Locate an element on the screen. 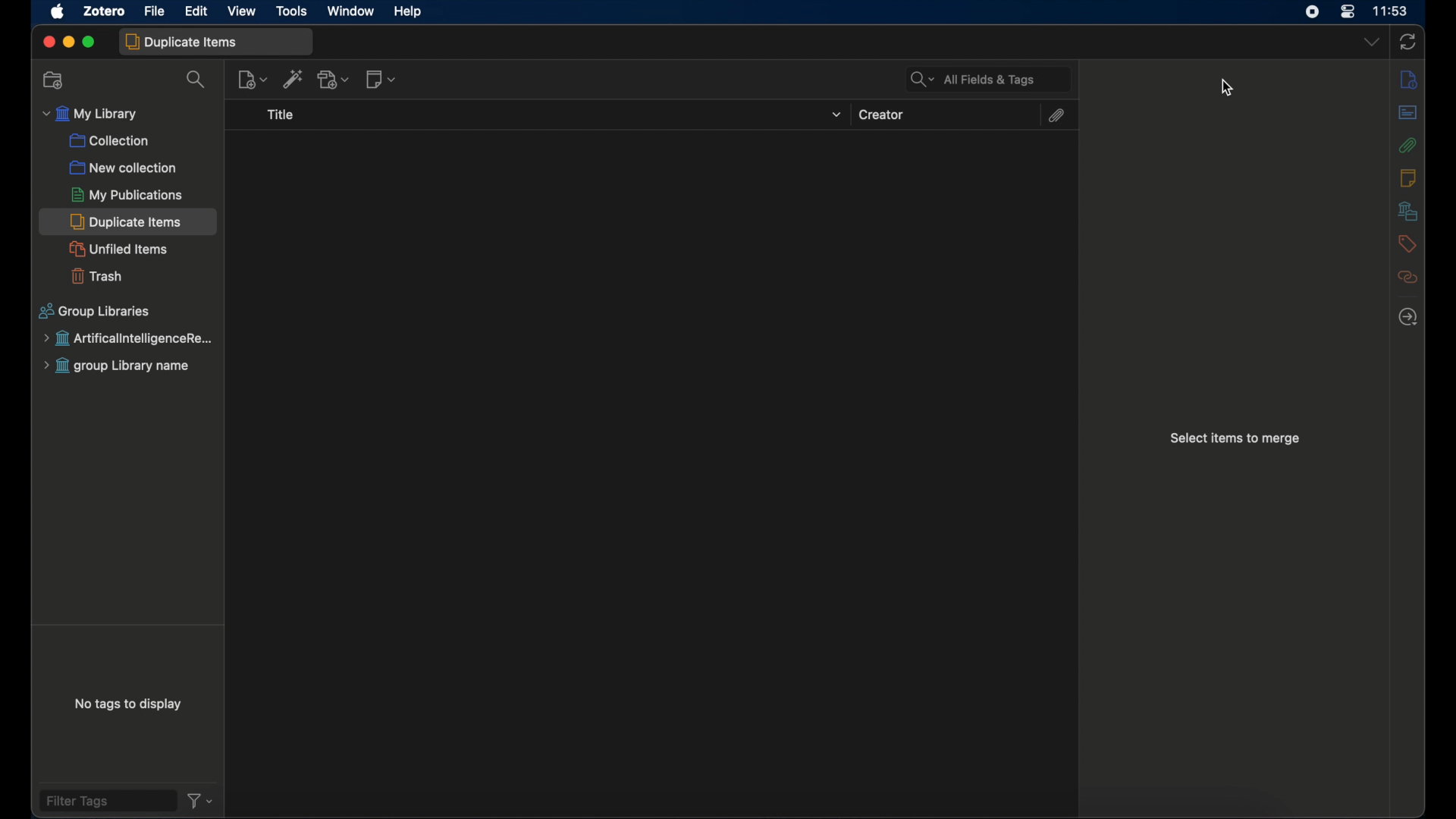 The height and width of the screenshot is (819, 1456). notes is located at coordinates (1407, 178).